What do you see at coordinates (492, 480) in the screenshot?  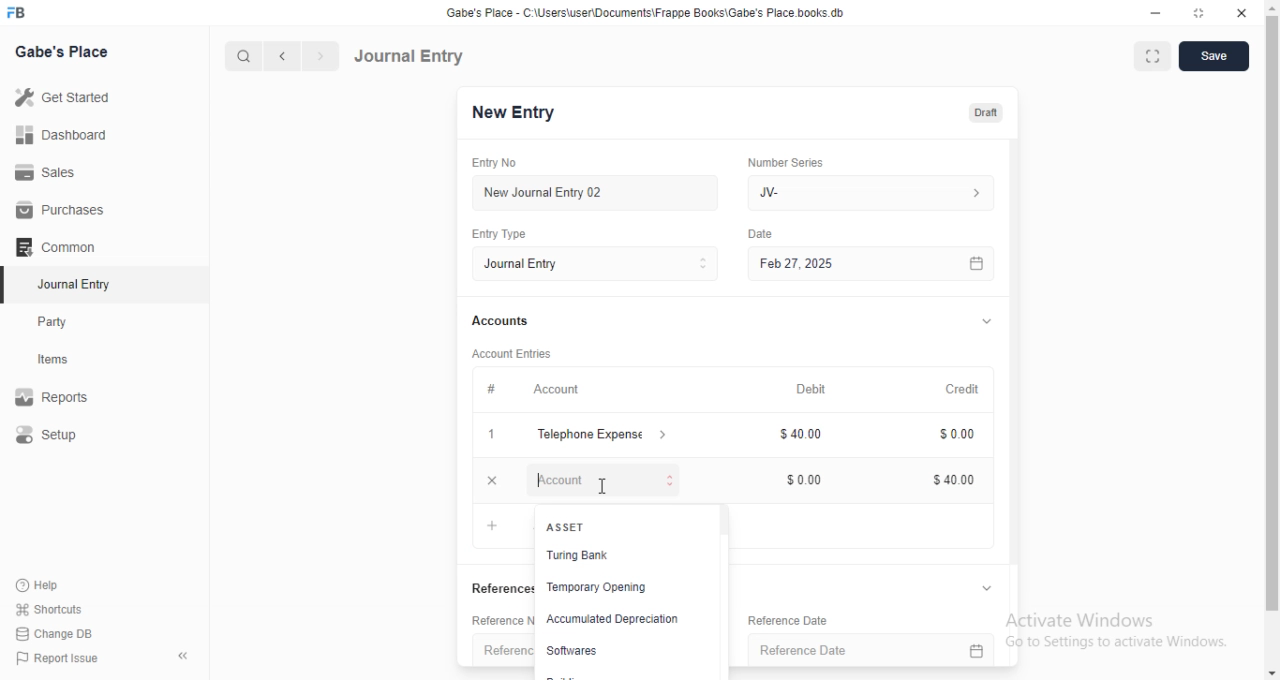 I see `Close` at bounding box center [492, 480].